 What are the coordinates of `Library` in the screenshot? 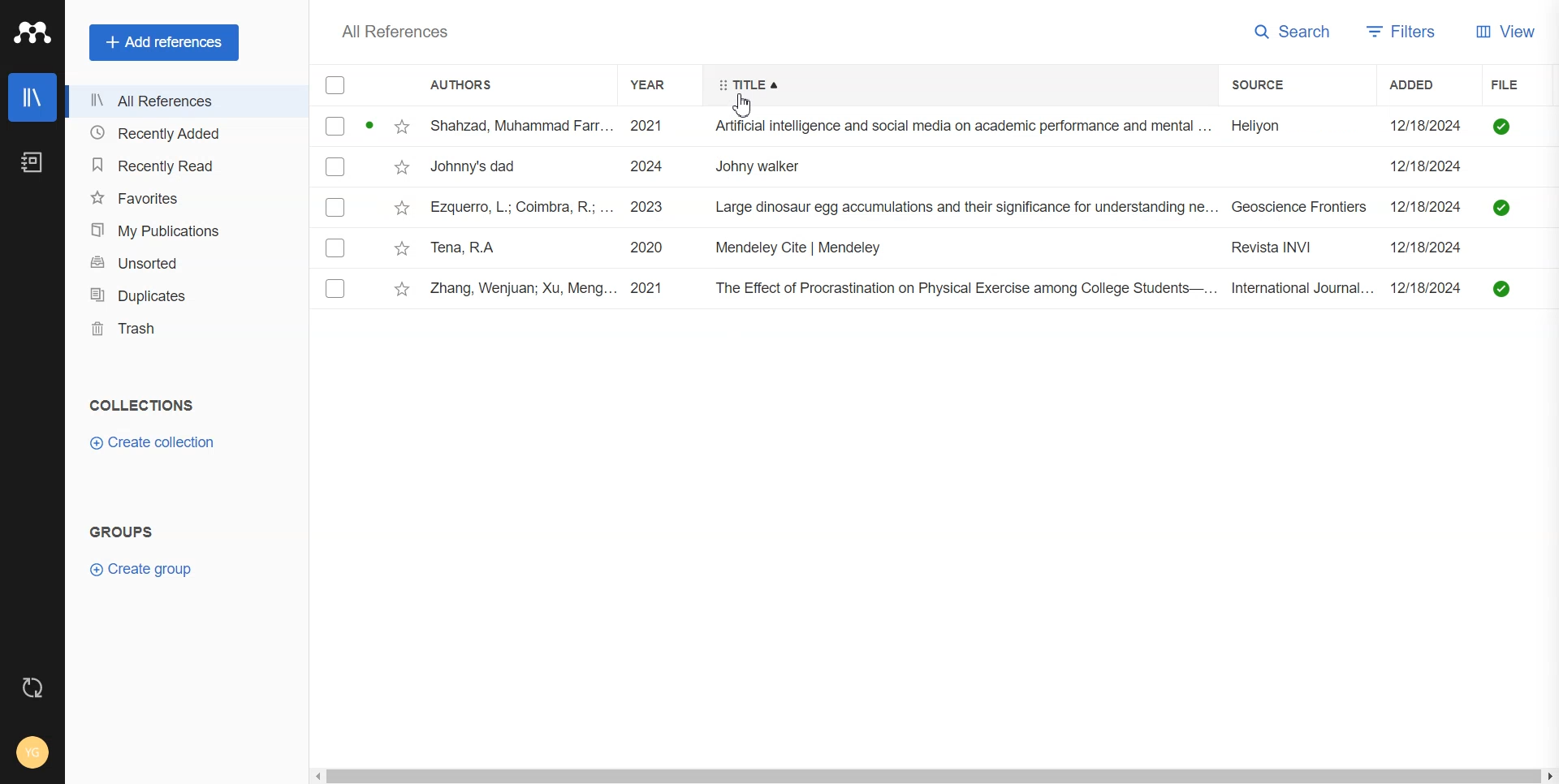 It's located at (32, 97).